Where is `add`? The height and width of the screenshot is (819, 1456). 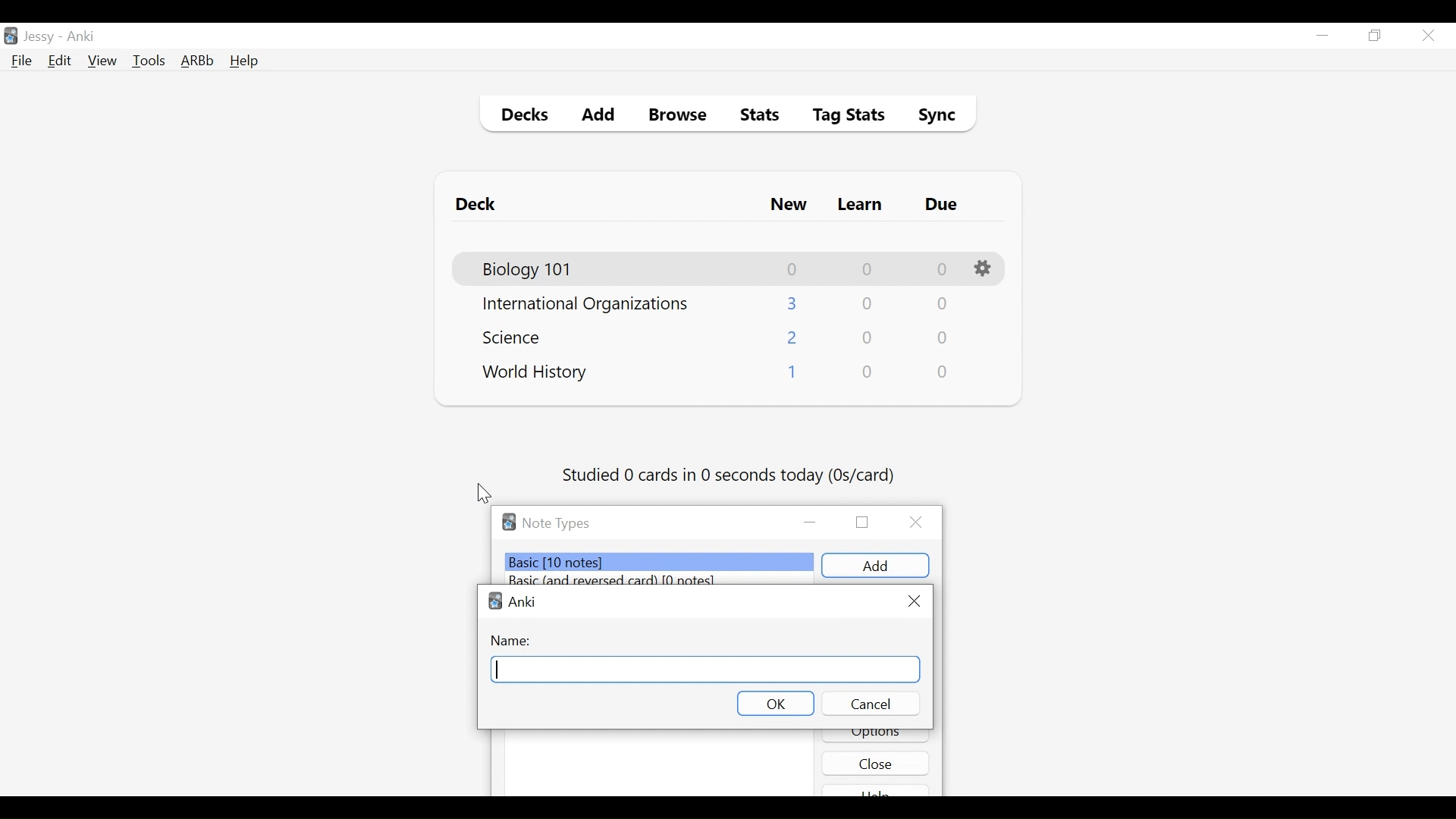 add is located at coordinates (875, 566).